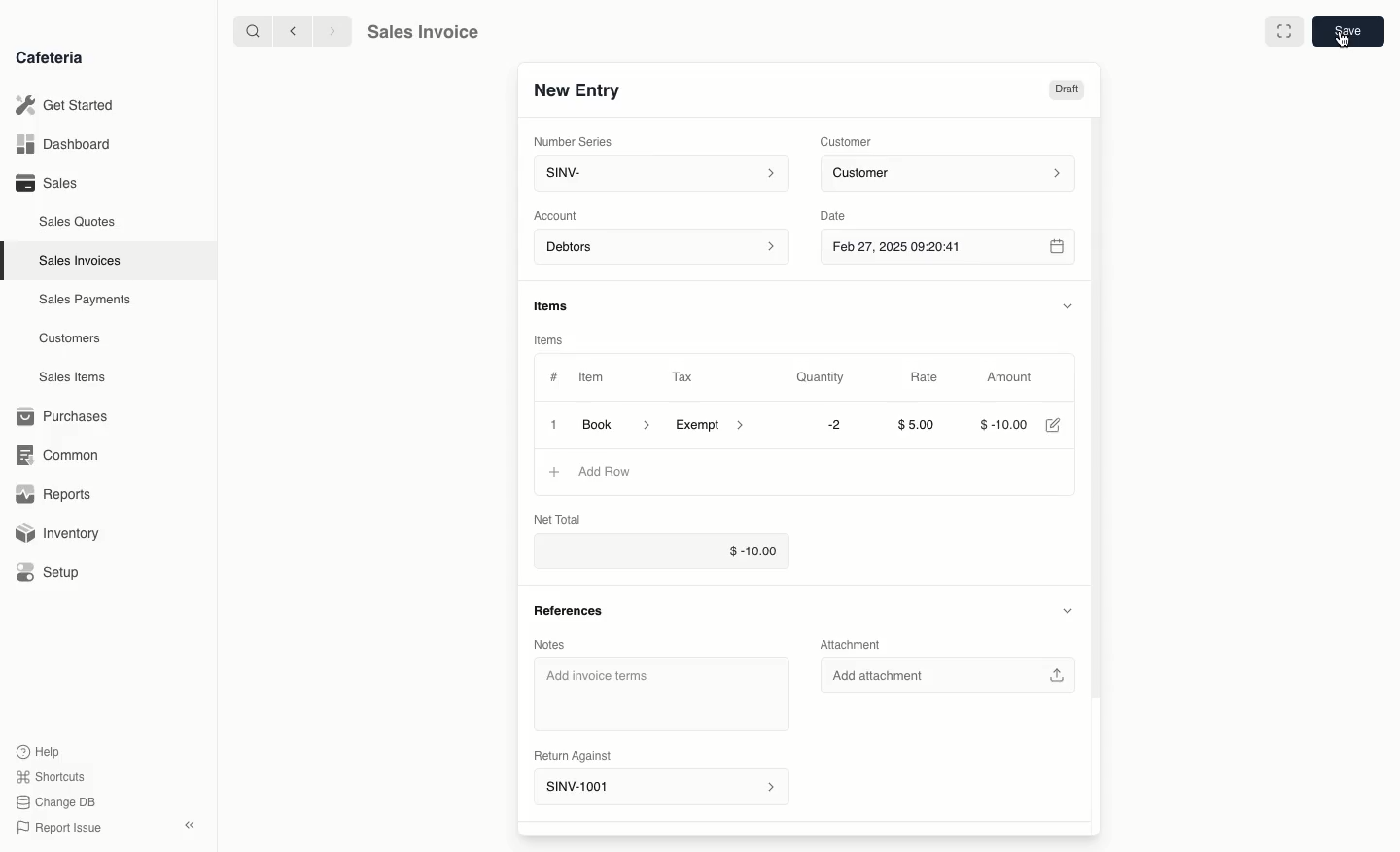 The height and width of the screenshot is (852, 1400). What do you see at coordinates (52, 775) in the screenshot?
I see `Shortcuts` at bounding box center [52, 775].